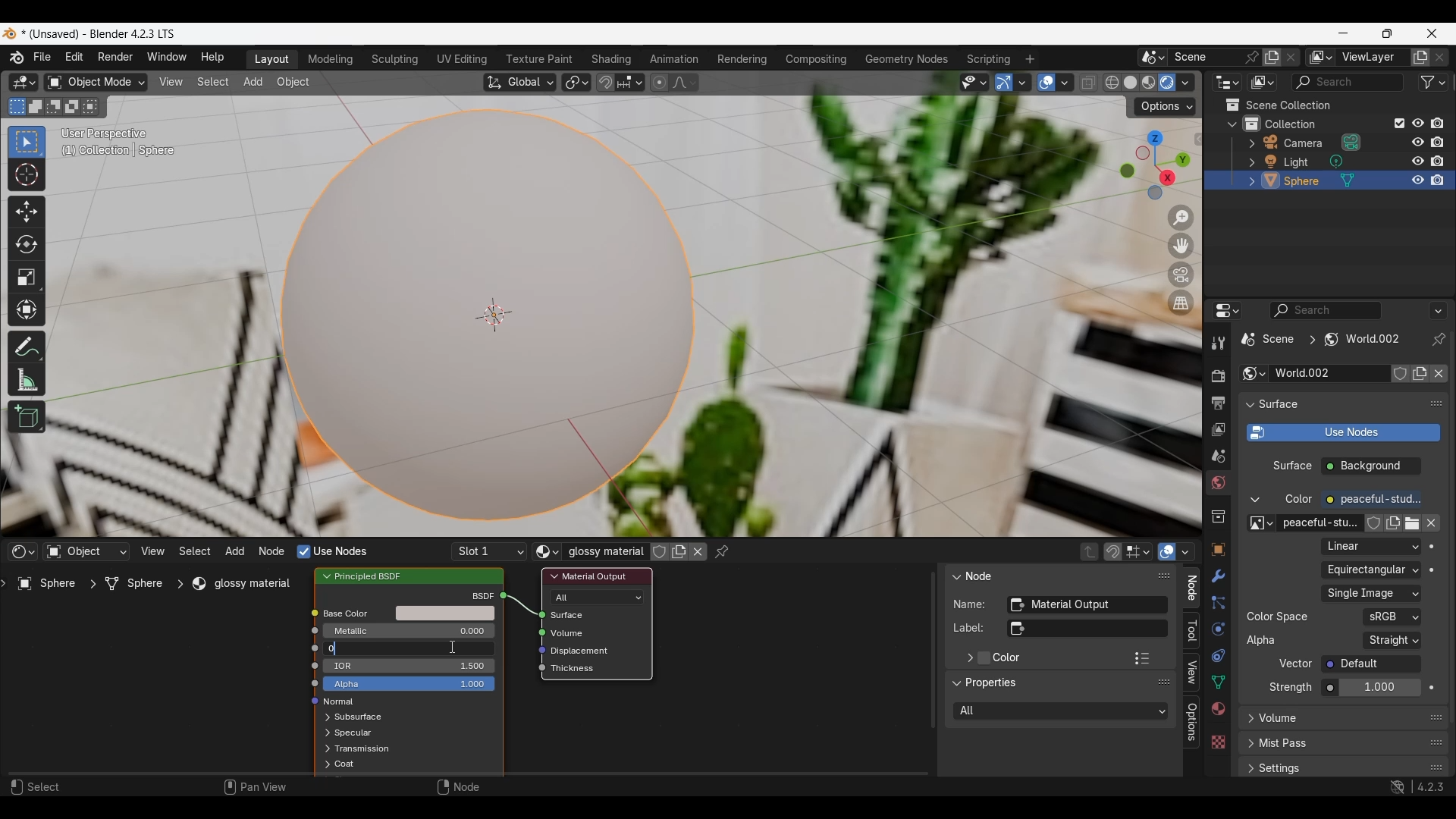 The image size is (1456, 819). Describe the element at coordinates (576, 83) in the screenshot. I see `Transform pivot point` at that location.